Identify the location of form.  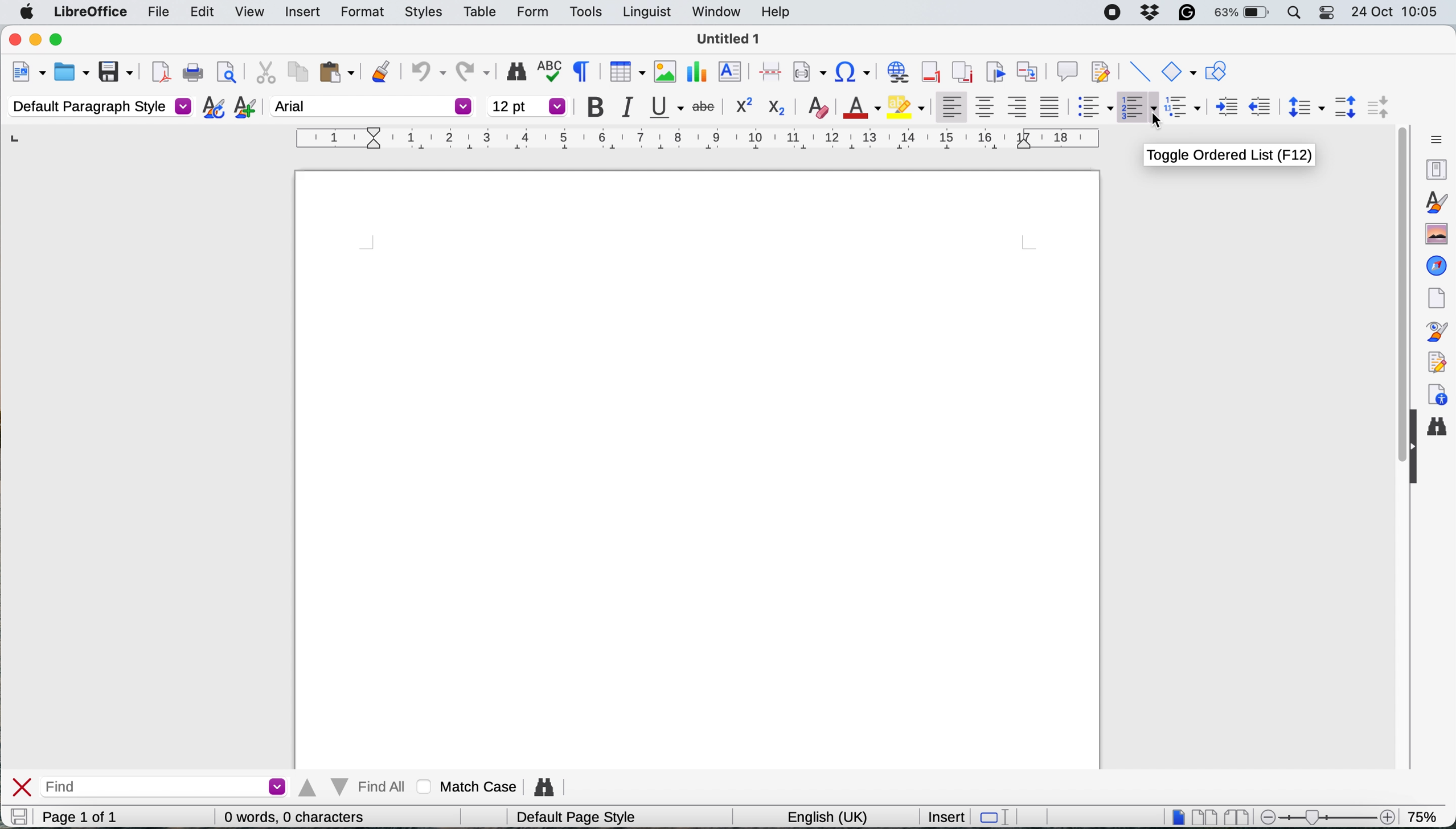
(529, 13).